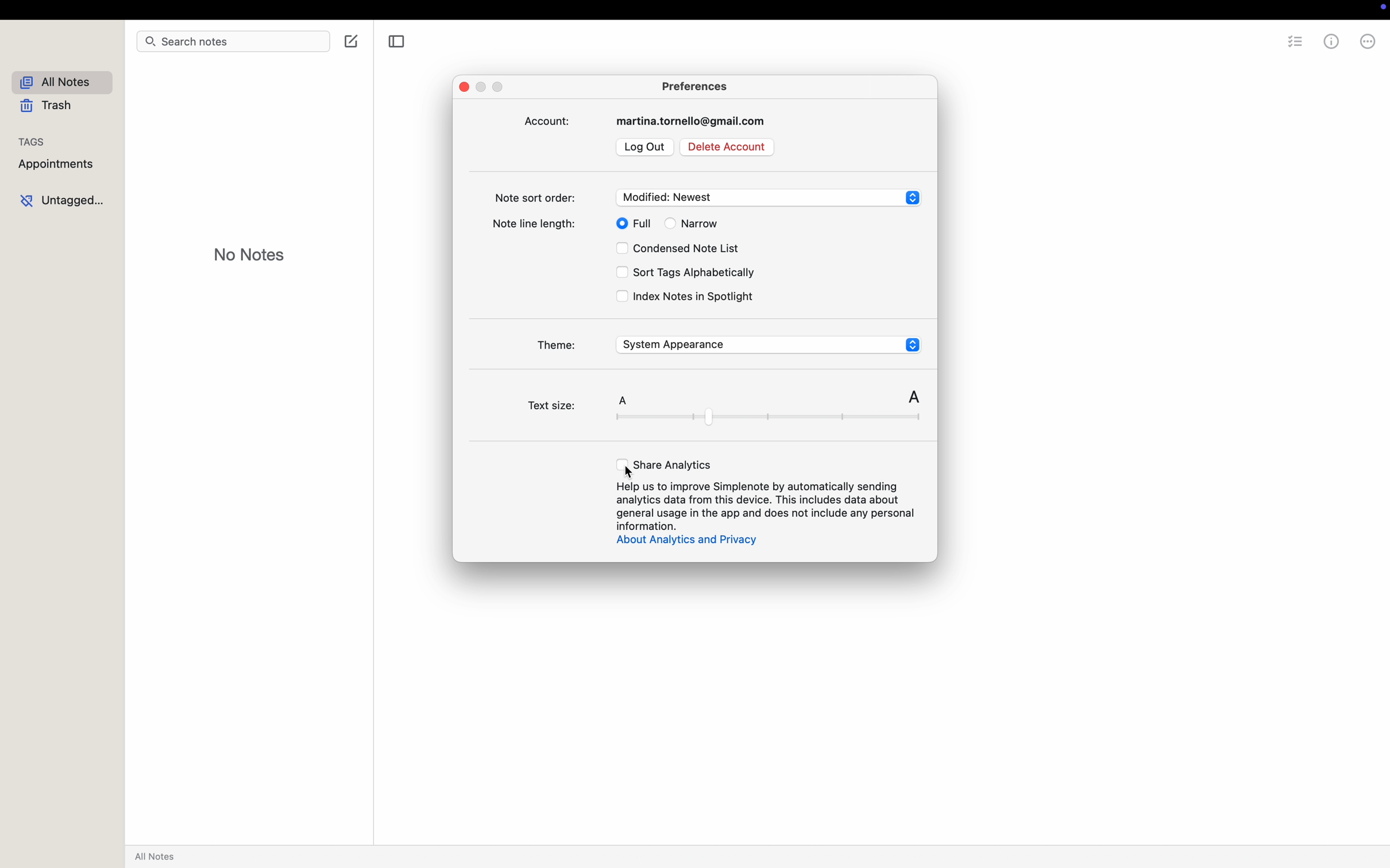 The image size is (1390, 868). What do you see at coordinates (723, 342) in the screenshot?
I see `theme` at bounding box center [723, 342].